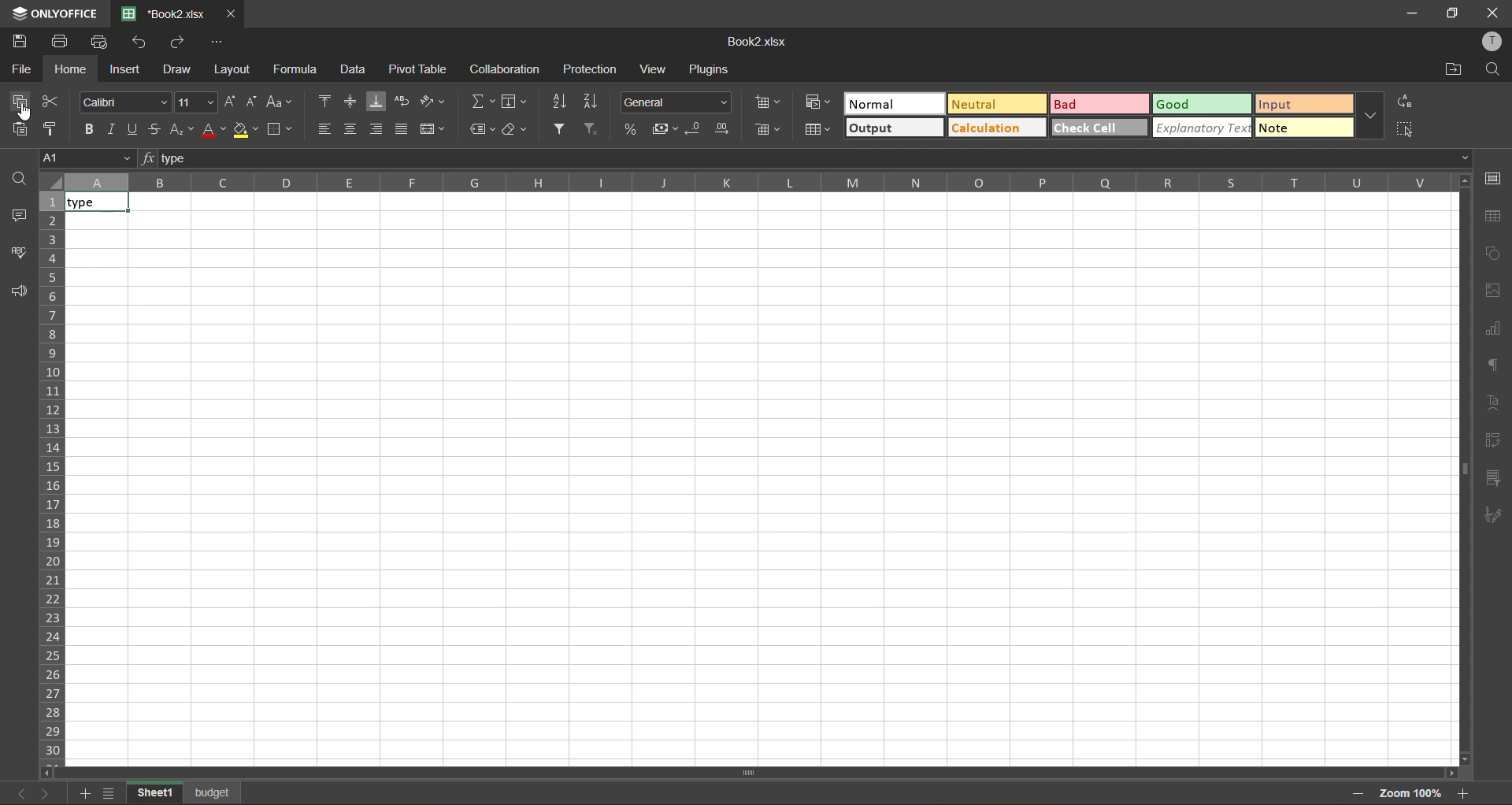 Image resolution: width=1512 pixels, height=805 pixels. Describe the element at coordinates (405, 129) in the screenshot. I see `justified` at that location.